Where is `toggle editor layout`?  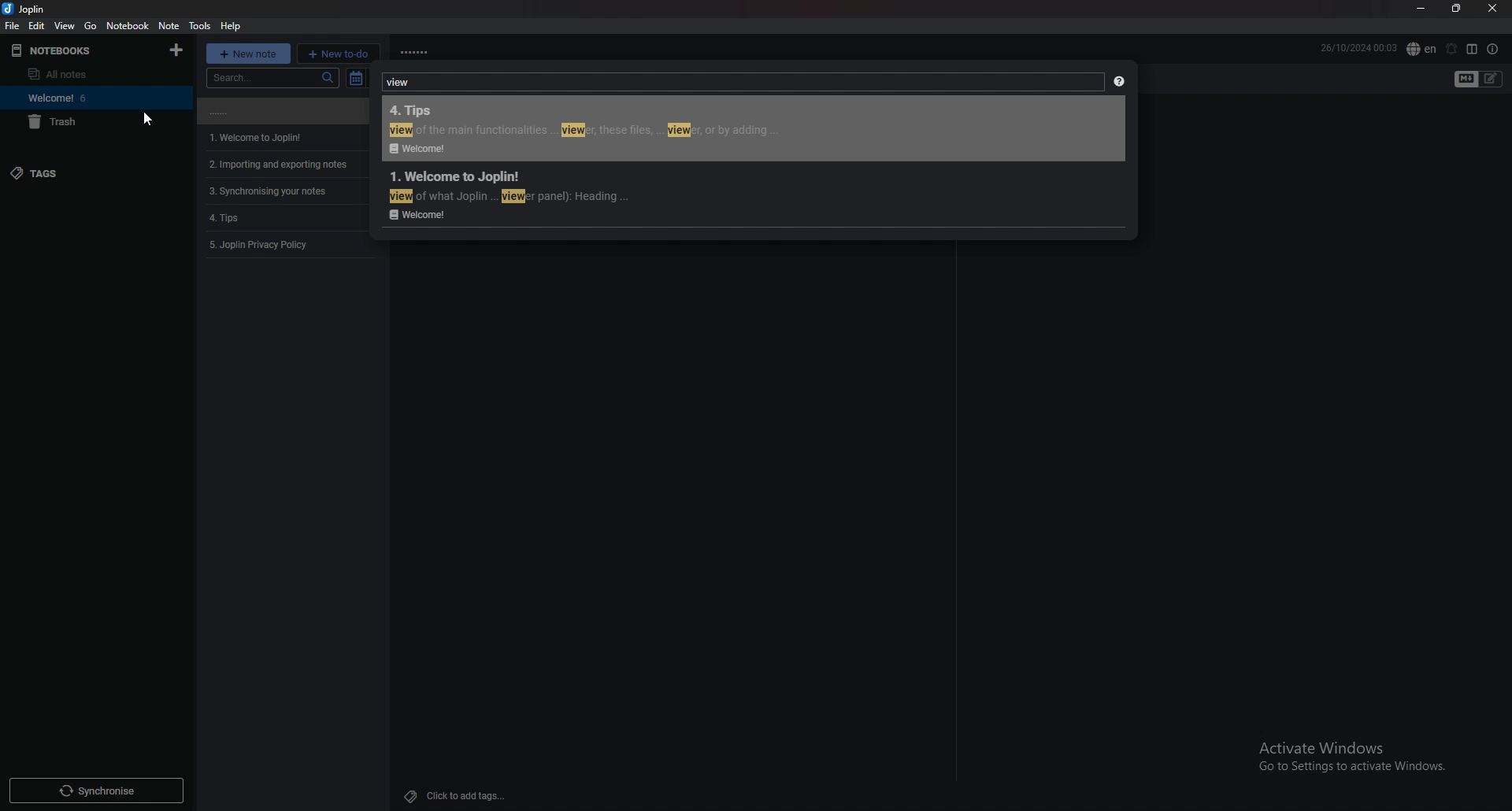 toggle editor layout is located at coordinates (1473, 49).